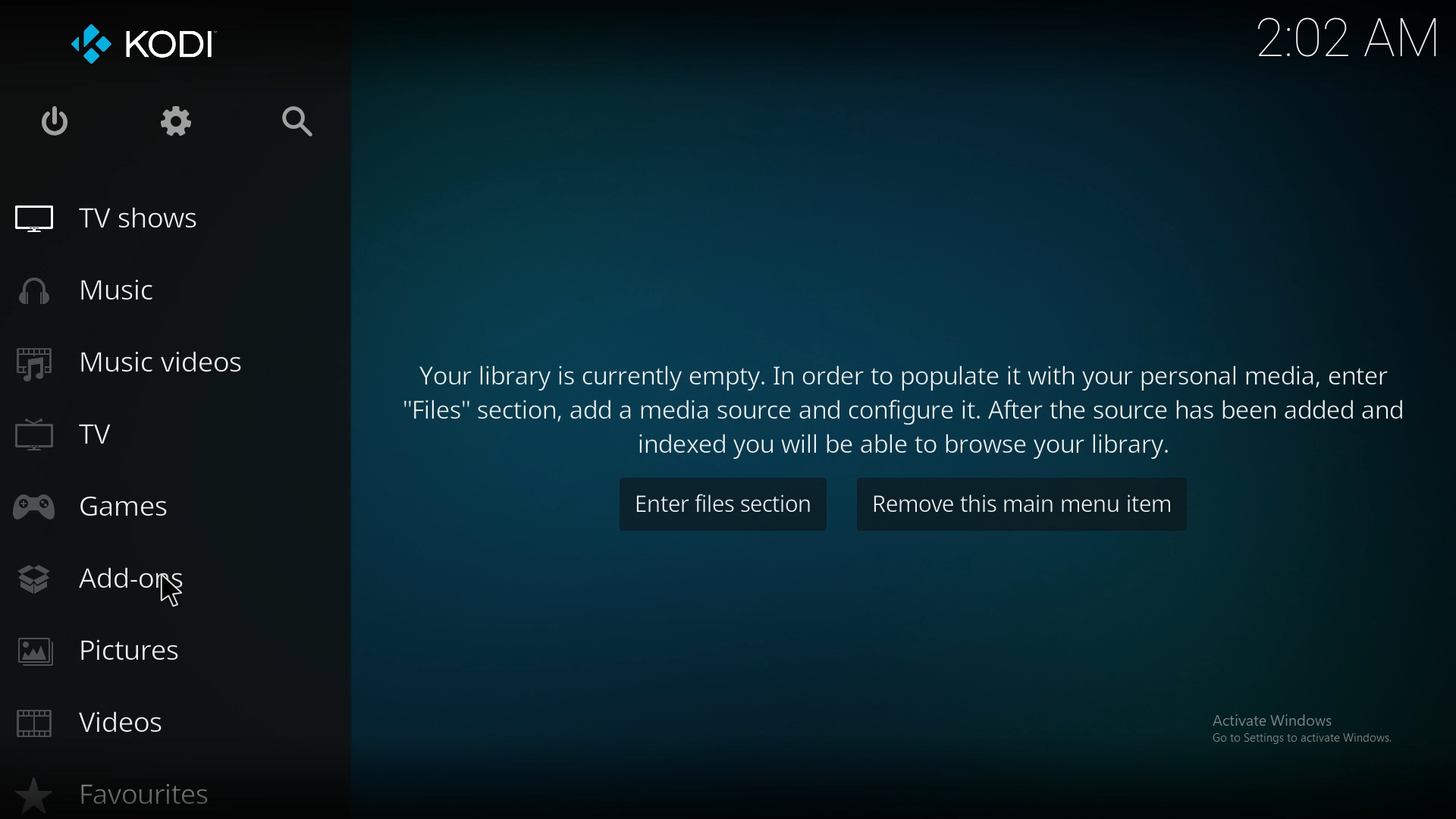 This screenshot has height=819, width=1456. What do you see at coordinates (56, 122) in the screenshot?
I see `power options` at bounding box center [56, 122].